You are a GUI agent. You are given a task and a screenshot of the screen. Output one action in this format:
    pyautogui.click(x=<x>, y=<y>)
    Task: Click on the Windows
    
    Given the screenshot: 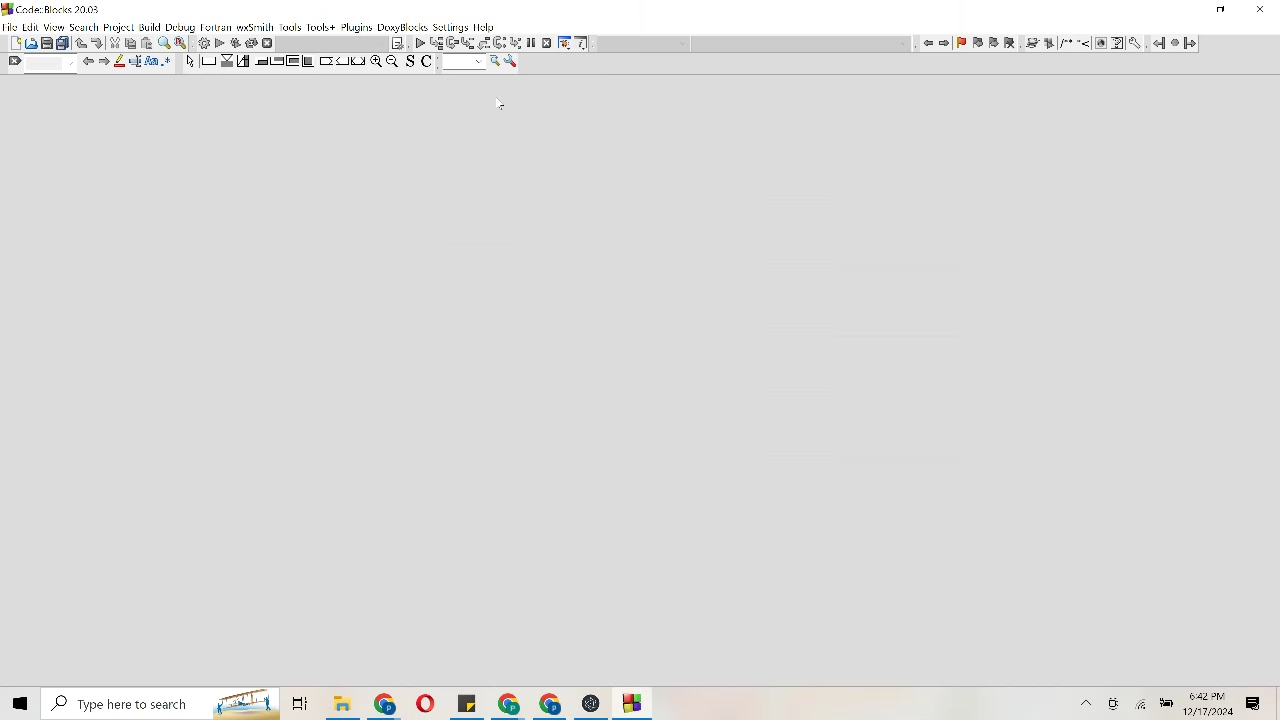 What is the action you would take?
    pyautogui.click(x=19, y=702)
    